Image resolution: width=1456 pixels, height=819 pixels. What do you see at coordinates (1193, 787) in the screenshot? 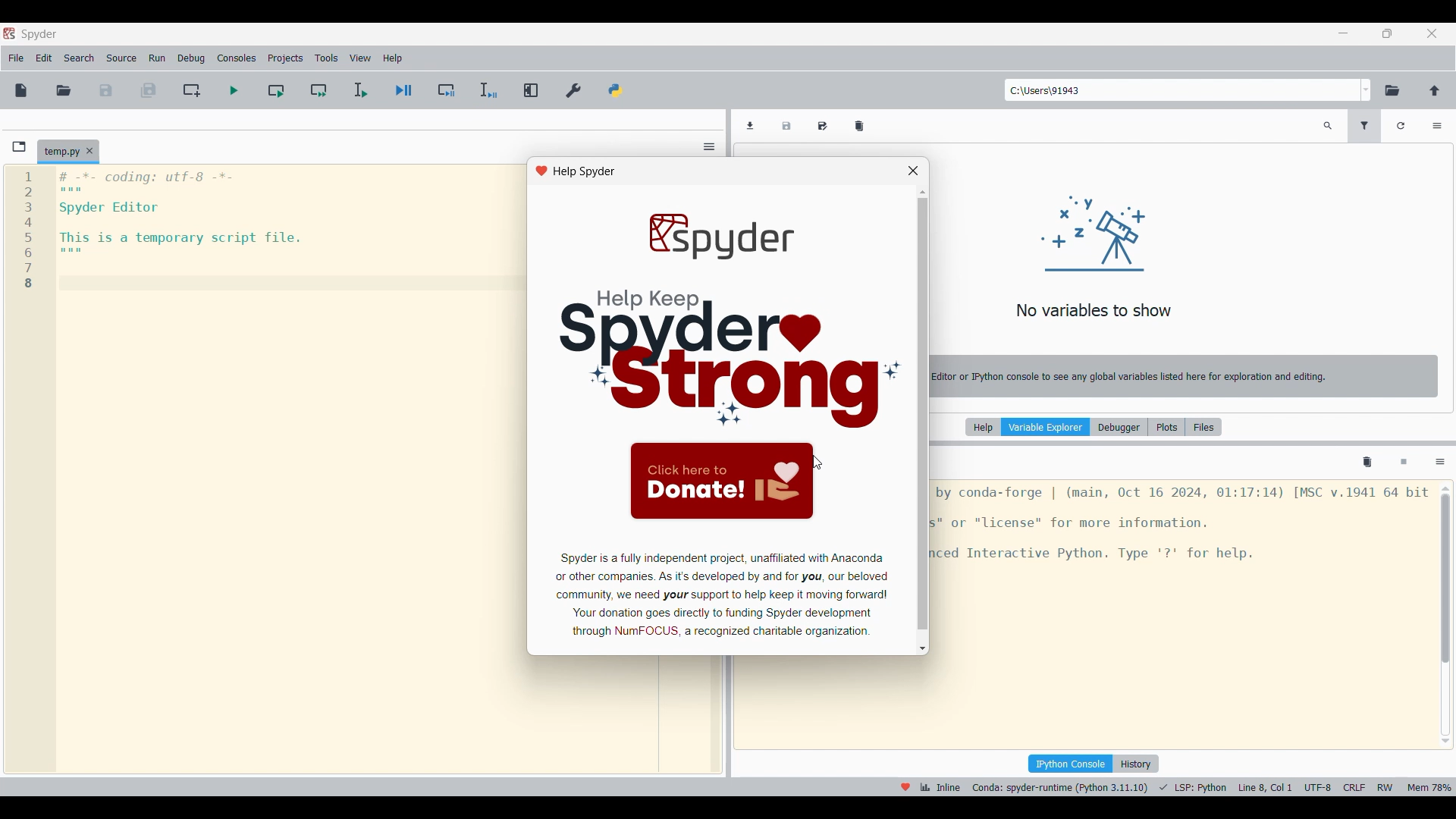
I see `programming language` at bounding box center [1193, 787].